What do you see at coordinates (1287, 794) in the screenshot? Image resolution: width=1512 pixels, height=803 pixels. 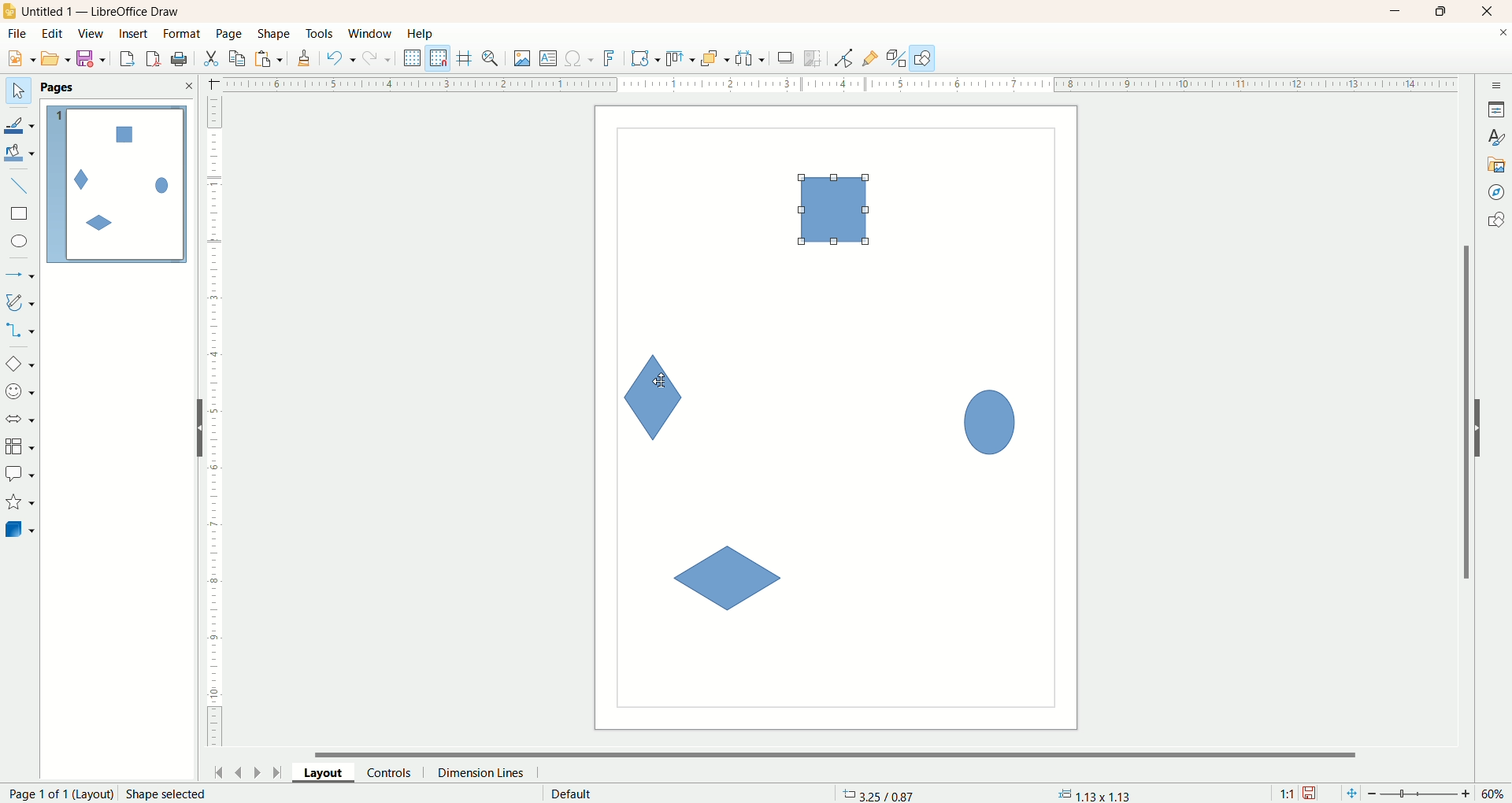 I see `scale factor` at bounding box center [1287, 794].